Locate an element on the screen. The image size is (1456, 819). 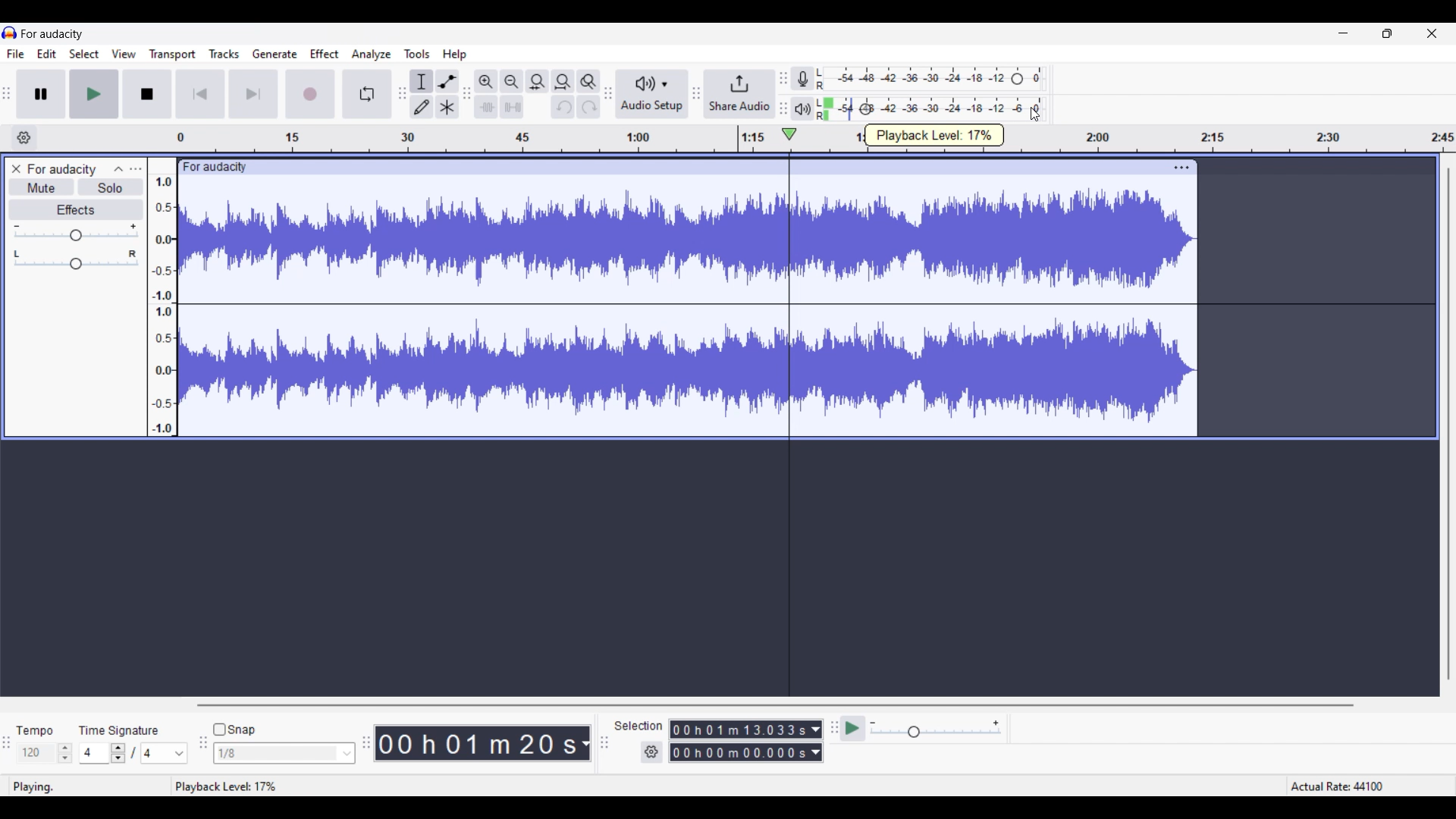
Selection settings is located at coordinates (651, 752).